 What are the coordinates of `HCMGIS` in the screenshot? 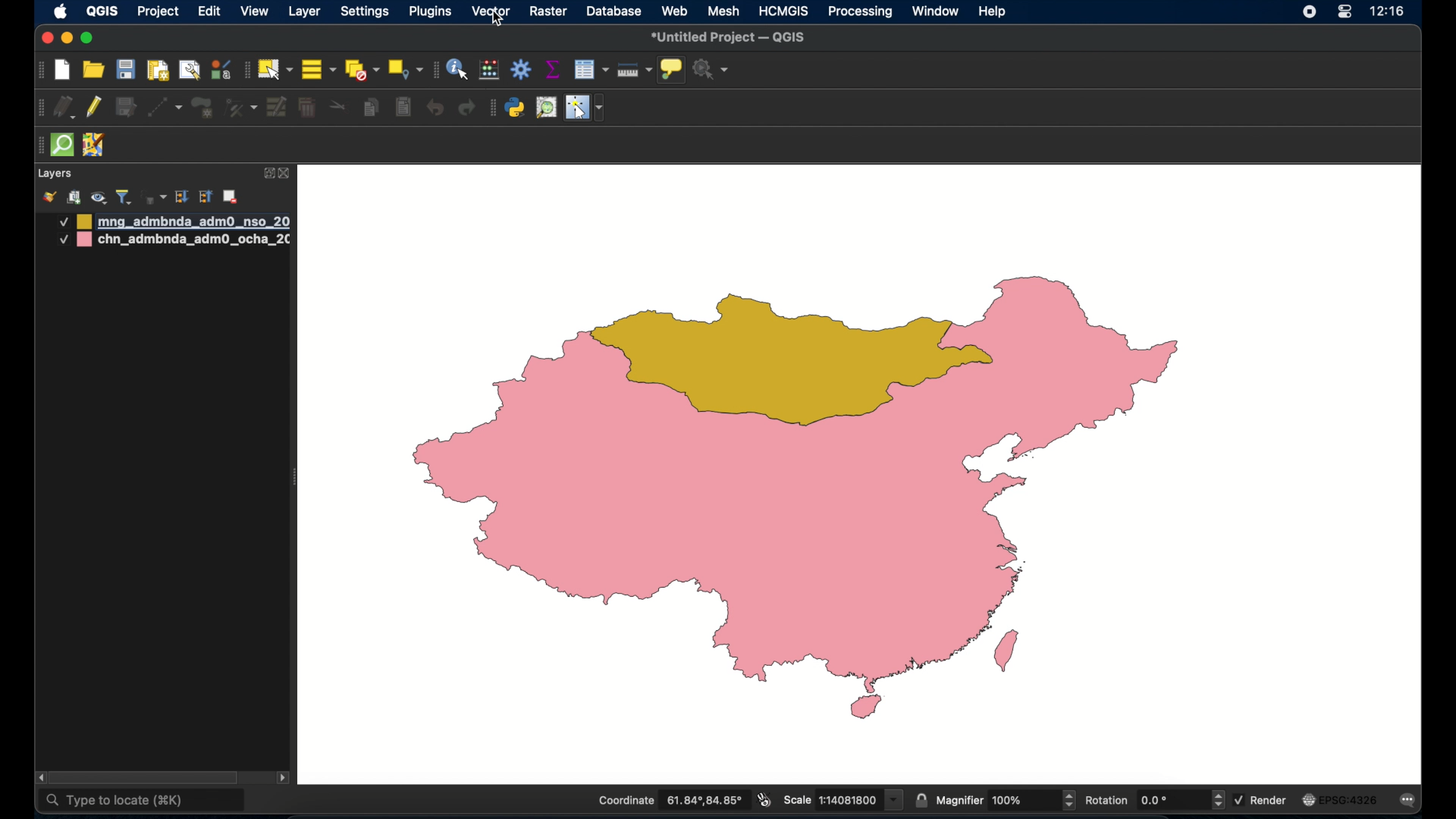 It's located at (783, 11).